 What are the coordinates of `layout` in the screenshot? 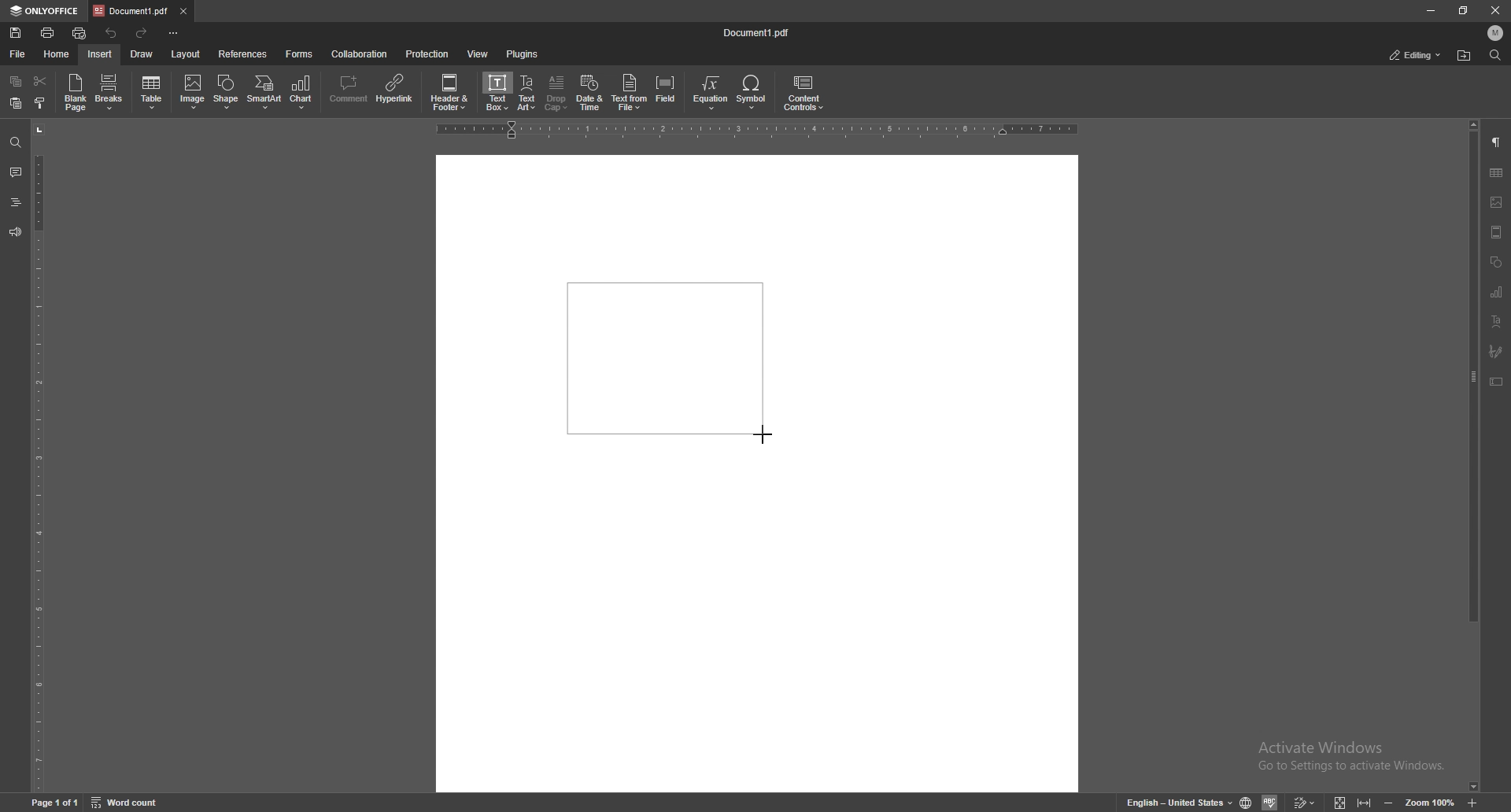 It's located at (187, 55).